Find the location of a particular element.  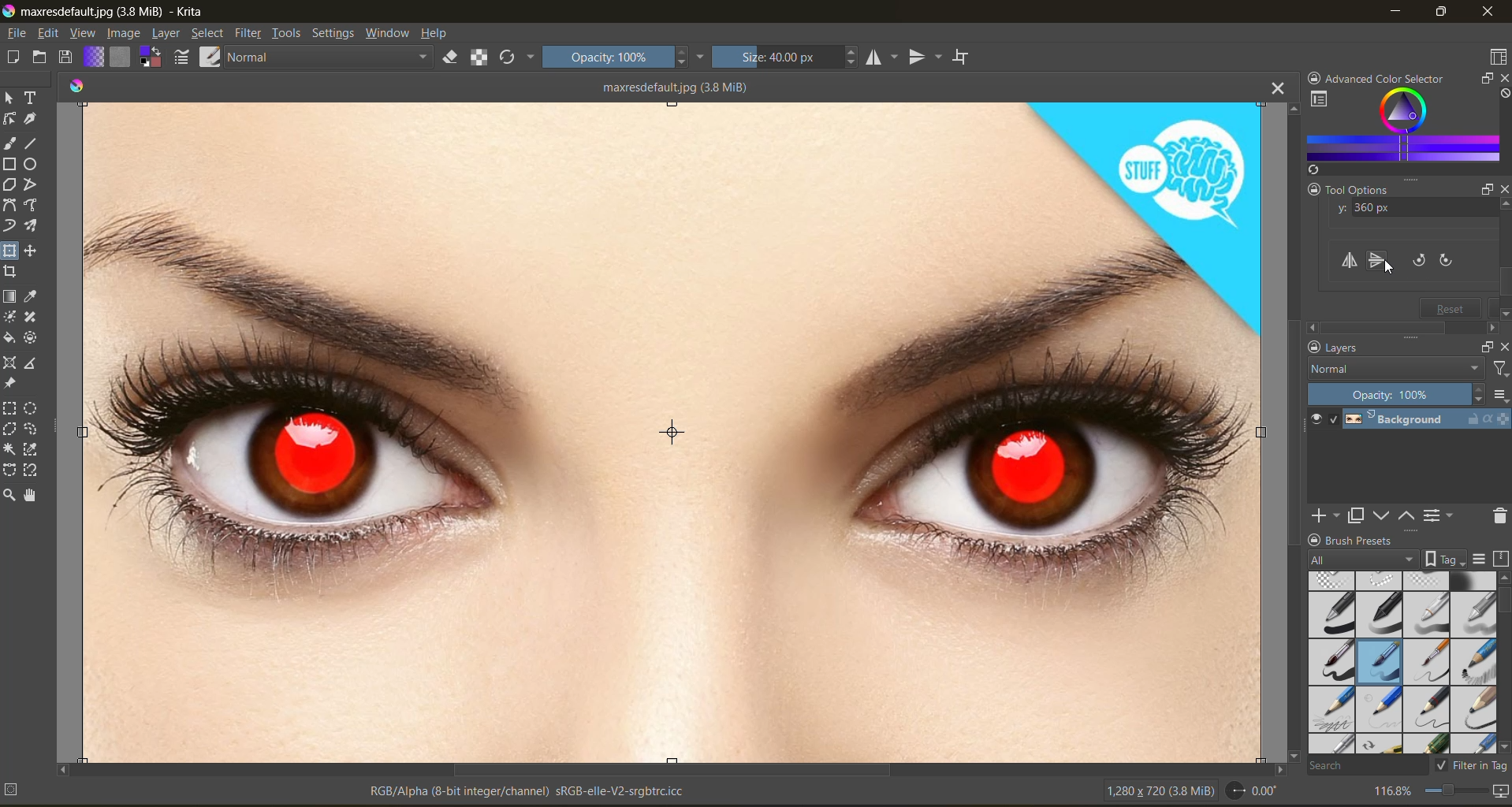

layer is located at coordinates (166, 33).